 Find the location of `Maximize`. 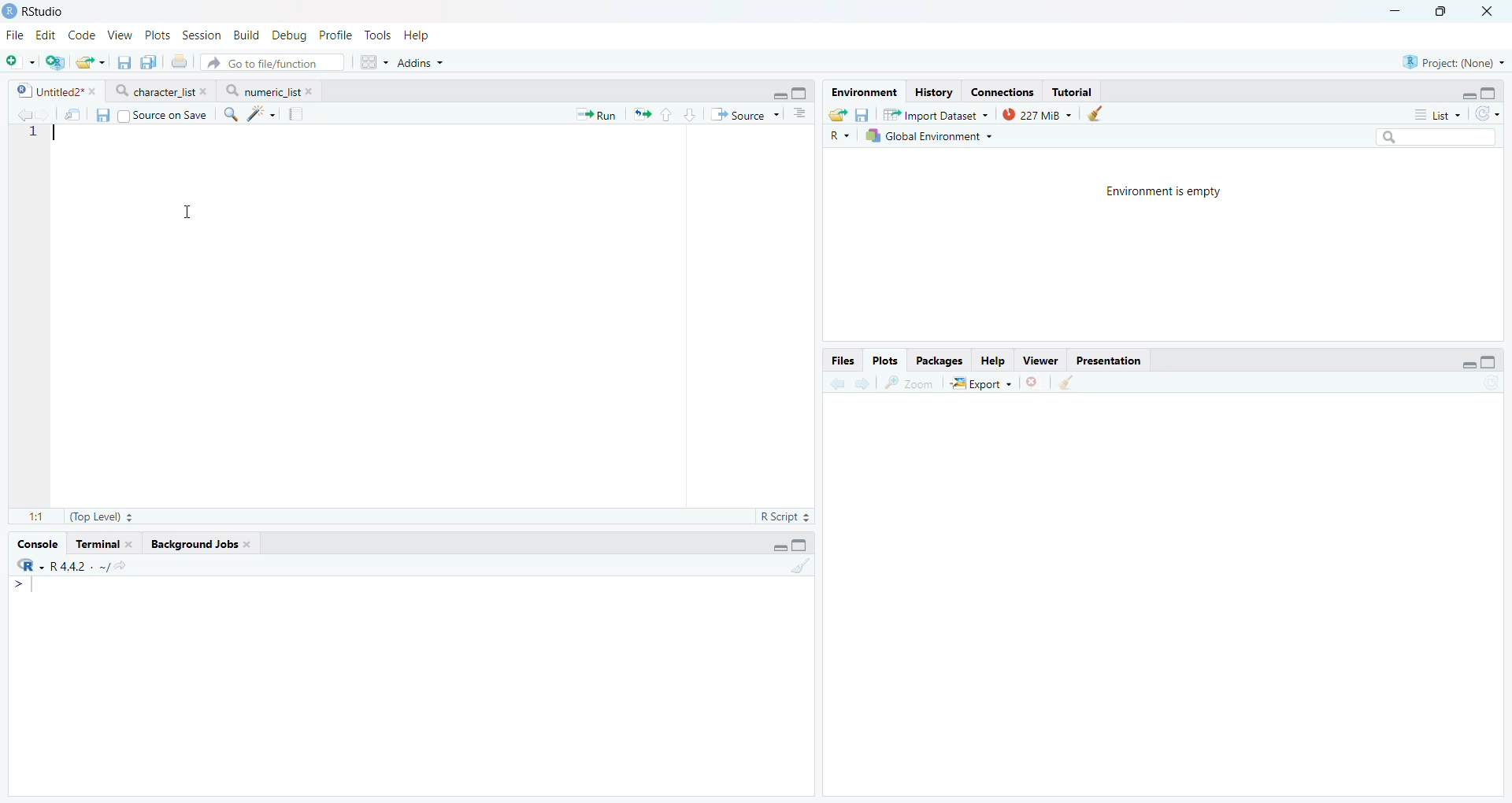

Maximize is located at coordinates (1443, 10).